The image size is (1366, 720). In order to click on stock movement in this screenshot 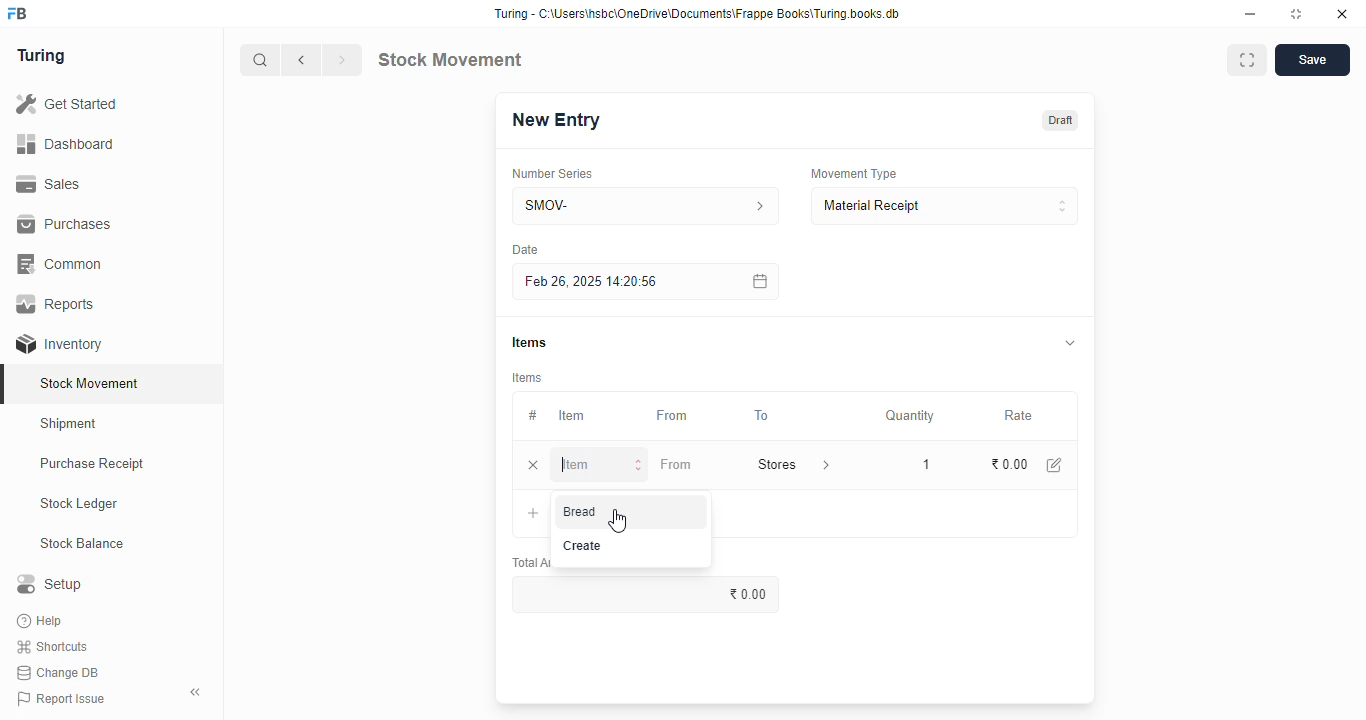, I will do `click(91, 383)`.